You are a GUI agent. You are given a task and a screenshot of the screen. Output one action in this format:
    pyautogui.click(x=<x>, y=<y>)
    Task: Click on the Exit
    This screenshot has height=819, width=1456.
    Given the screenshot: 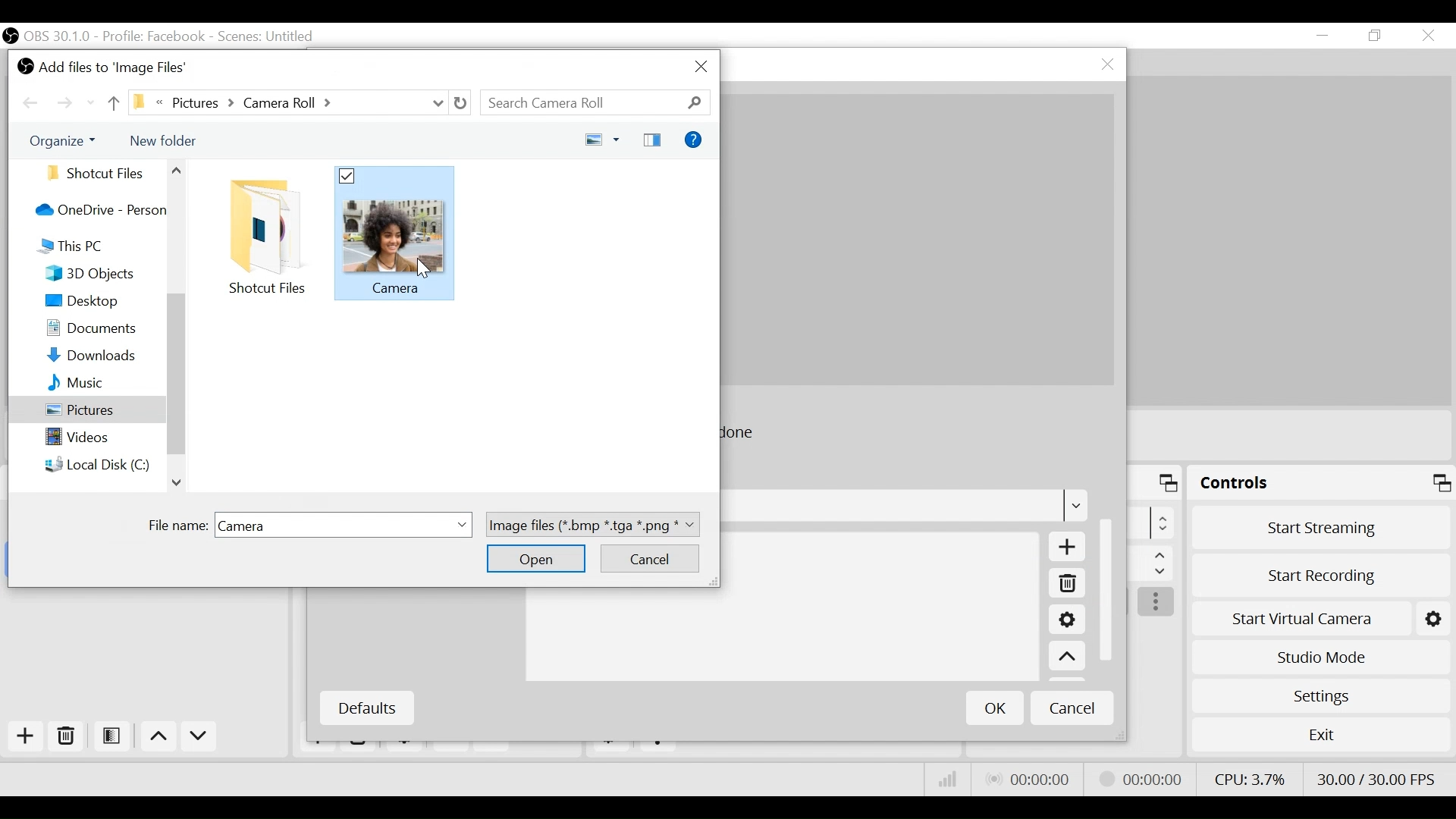 What is the action you would take?
    pyautogui.click(x=1321, y=738)
    